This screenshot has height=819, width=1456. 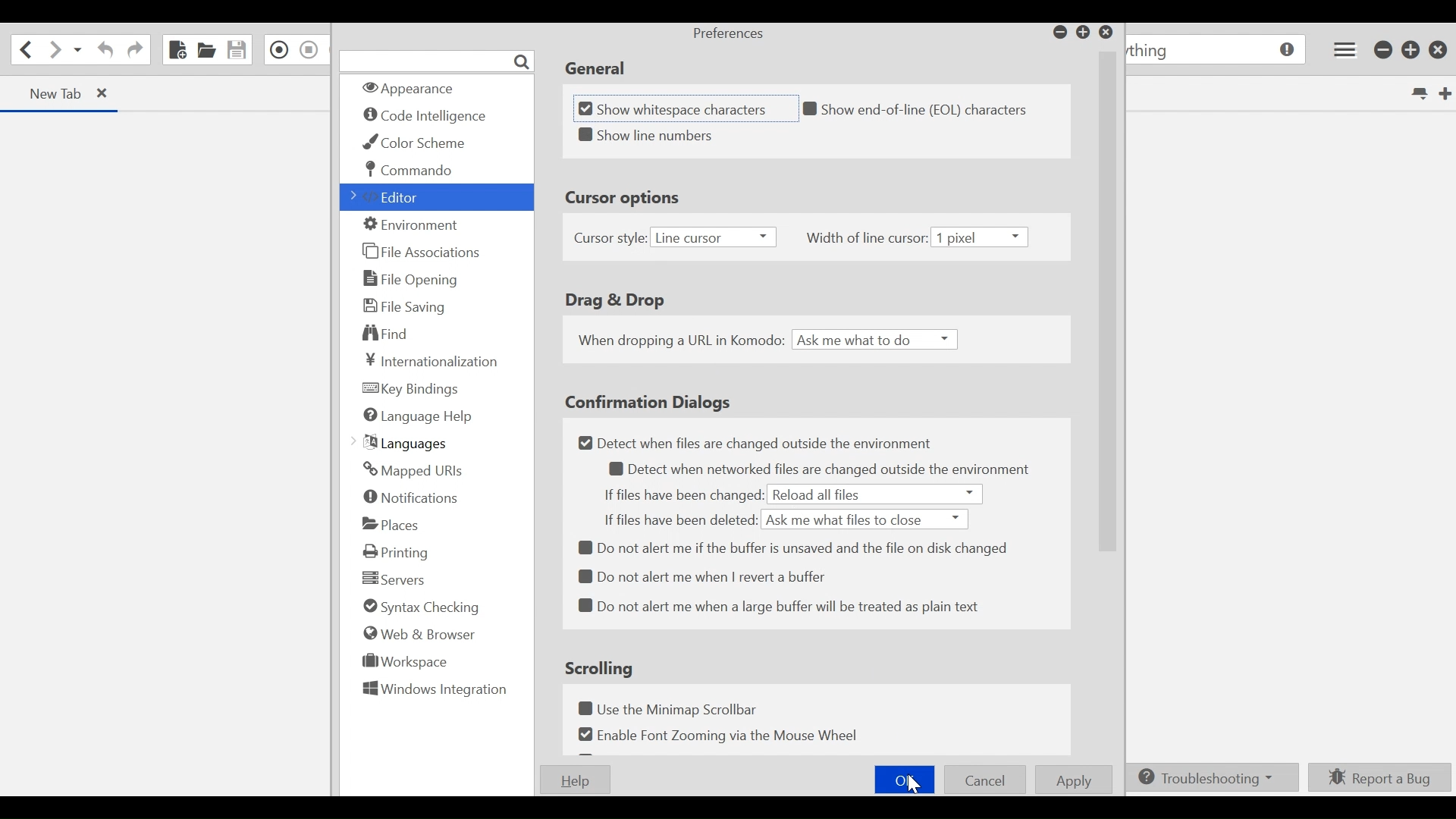 I want to click on Recent location, so click(x=78, y=51).